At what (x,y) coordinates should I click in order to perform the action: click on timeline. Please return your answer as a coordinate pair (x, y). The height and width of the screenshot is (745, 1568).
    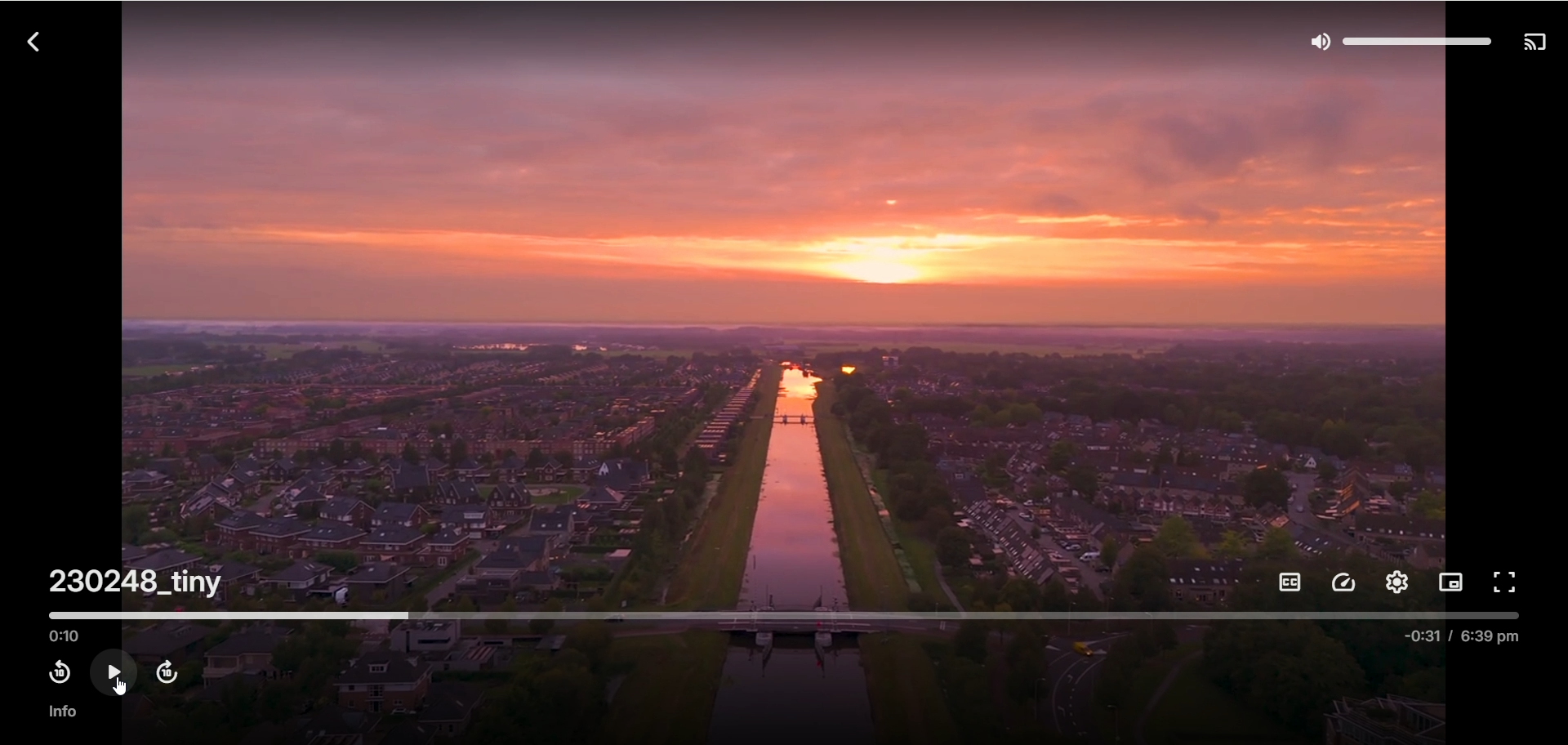
    Looking at the image, I should click on (786, 614).